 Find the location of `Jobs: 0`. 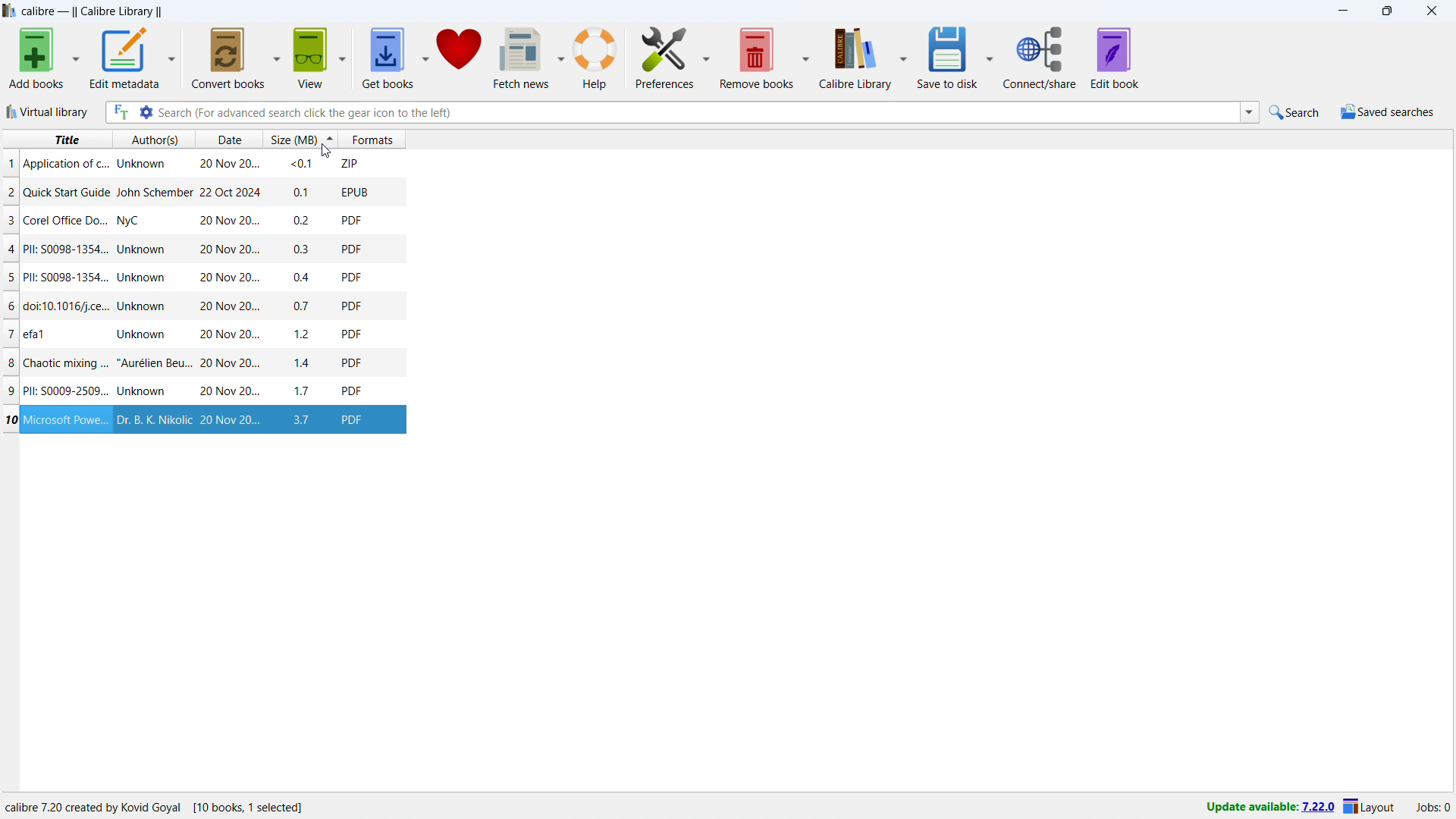

Jobs: 0 is located at coordinates (1432, 806).